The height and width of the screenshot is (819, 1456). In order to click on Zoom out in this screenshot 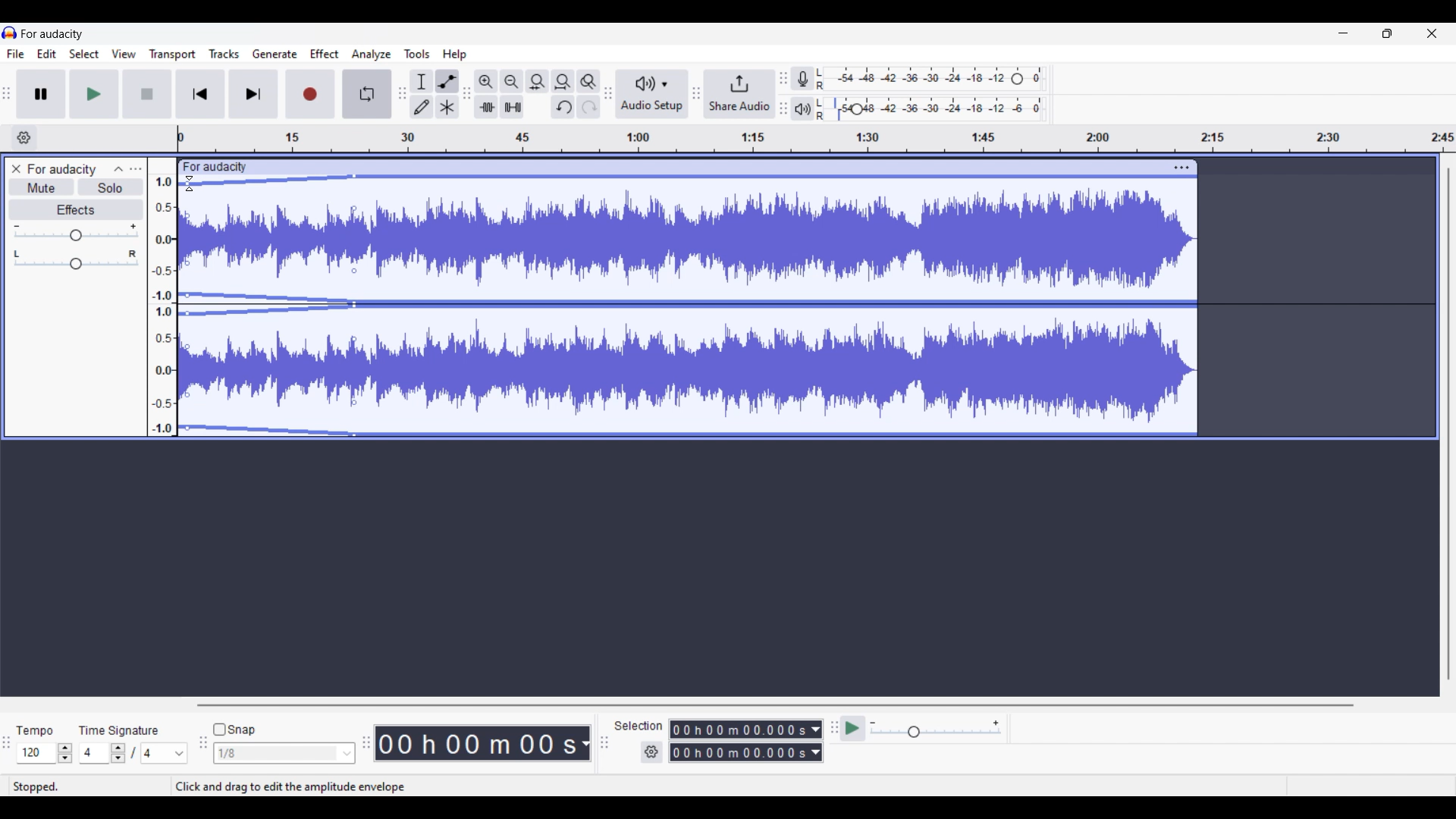, I will do `click(513, 81)`.